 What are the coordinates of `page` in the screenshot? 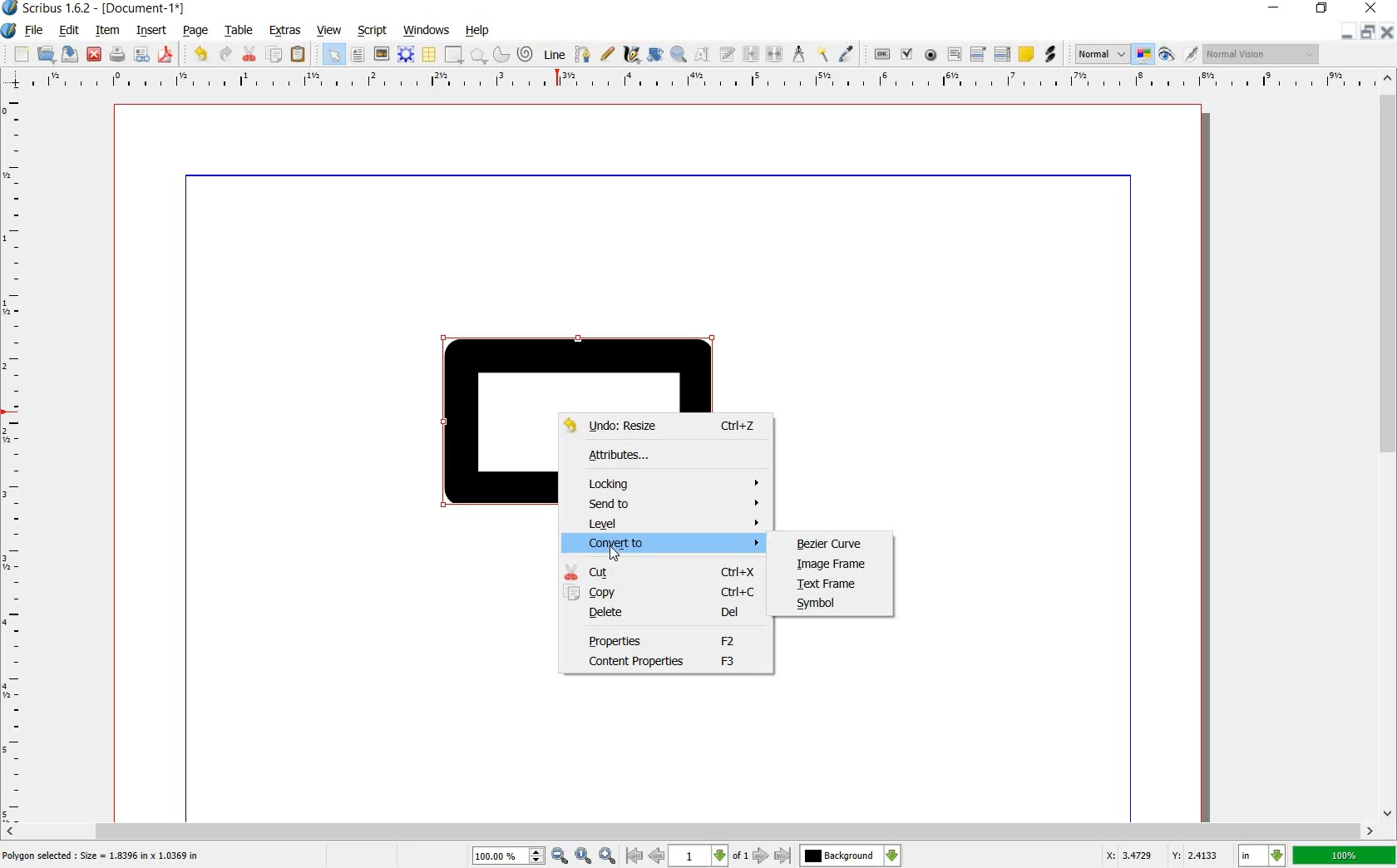 It's located at (195, 32).